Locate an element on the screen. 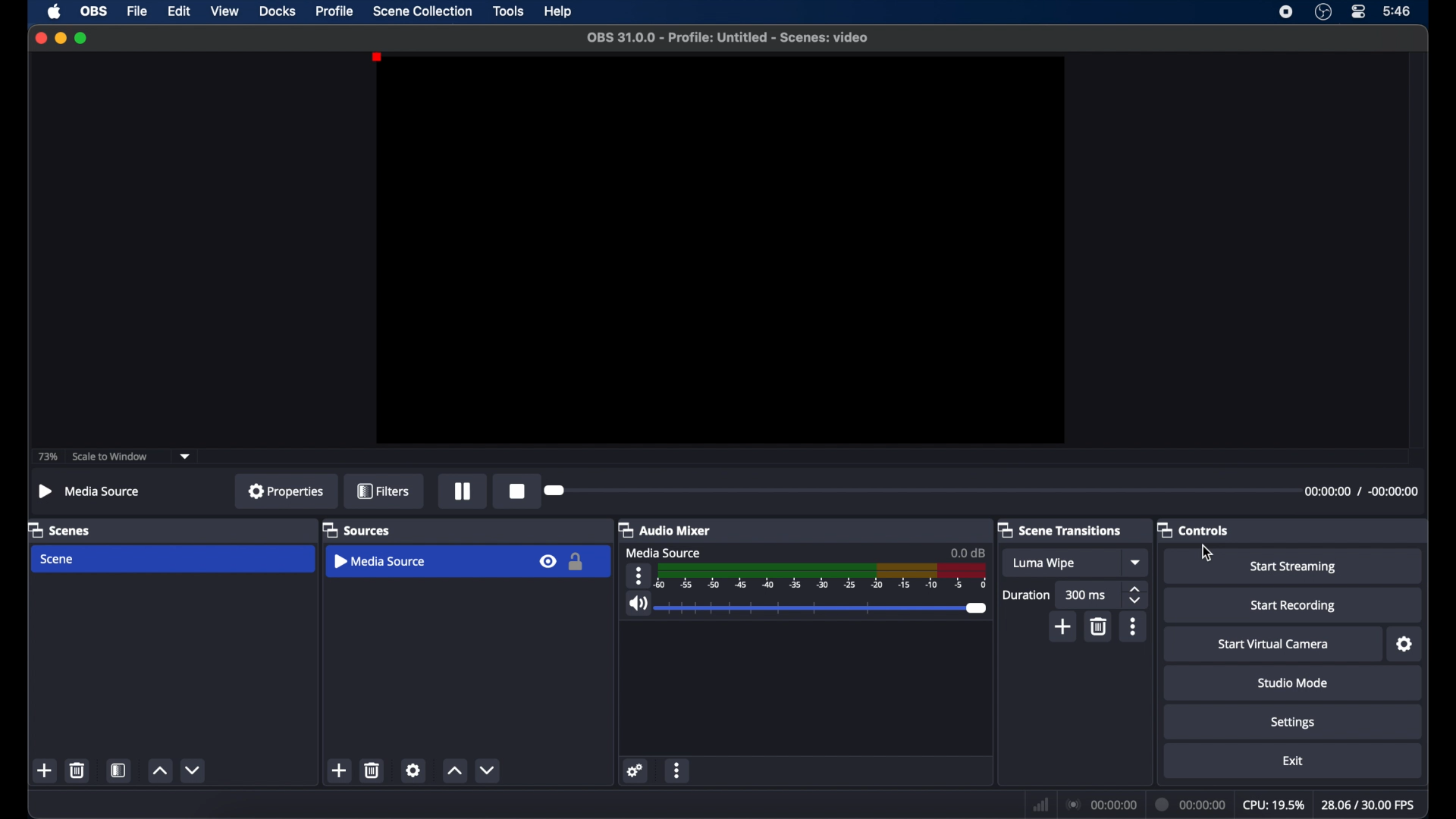 This screenshot has width=1456, height=819. cpu is located at coordinates (1273, 805).